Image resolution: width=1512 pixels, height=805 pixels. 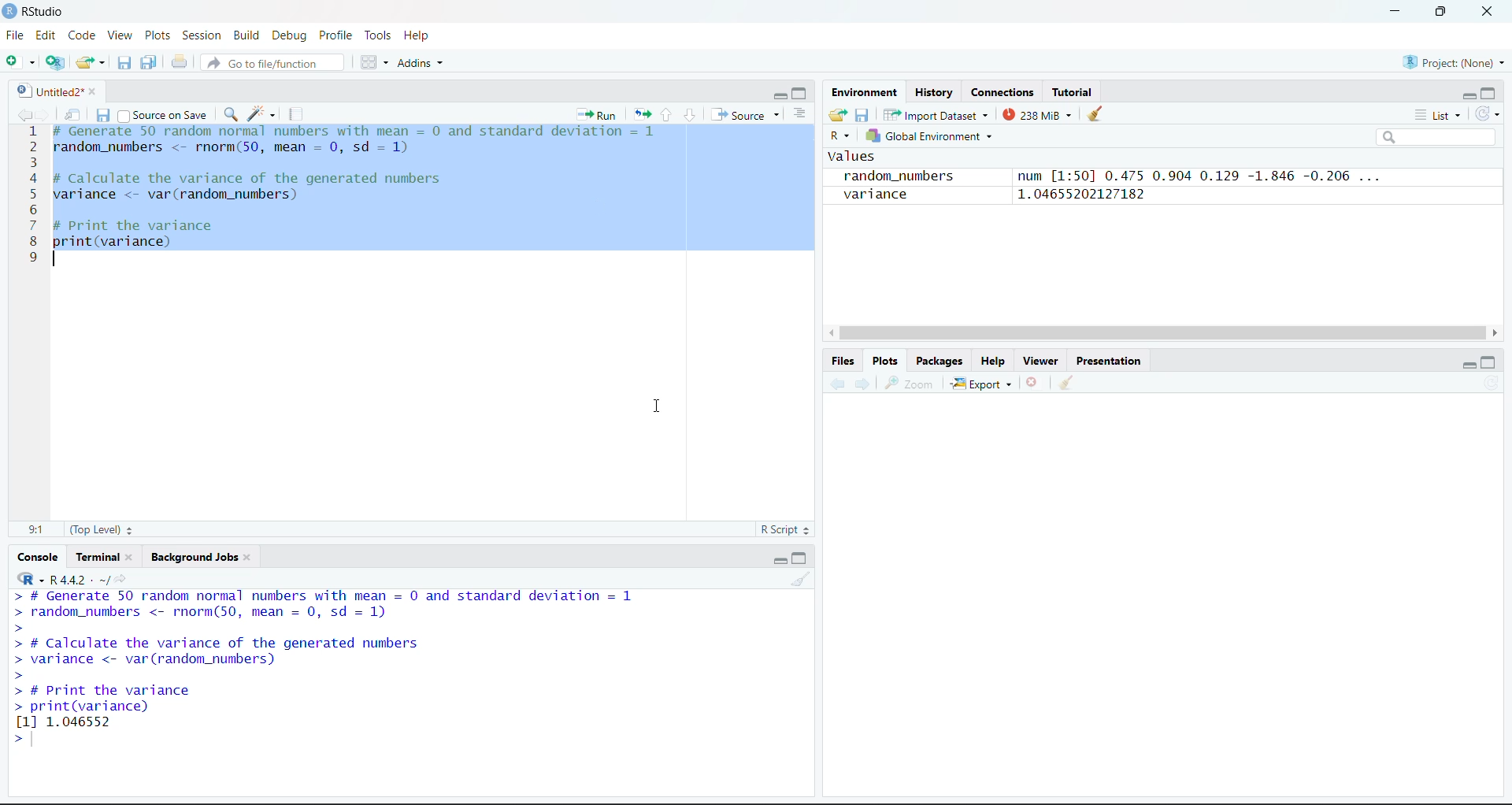 What do you see at coordinates (902, 176) in the screenshot?
I see `random_numbers` at bounding box center [902, 176].